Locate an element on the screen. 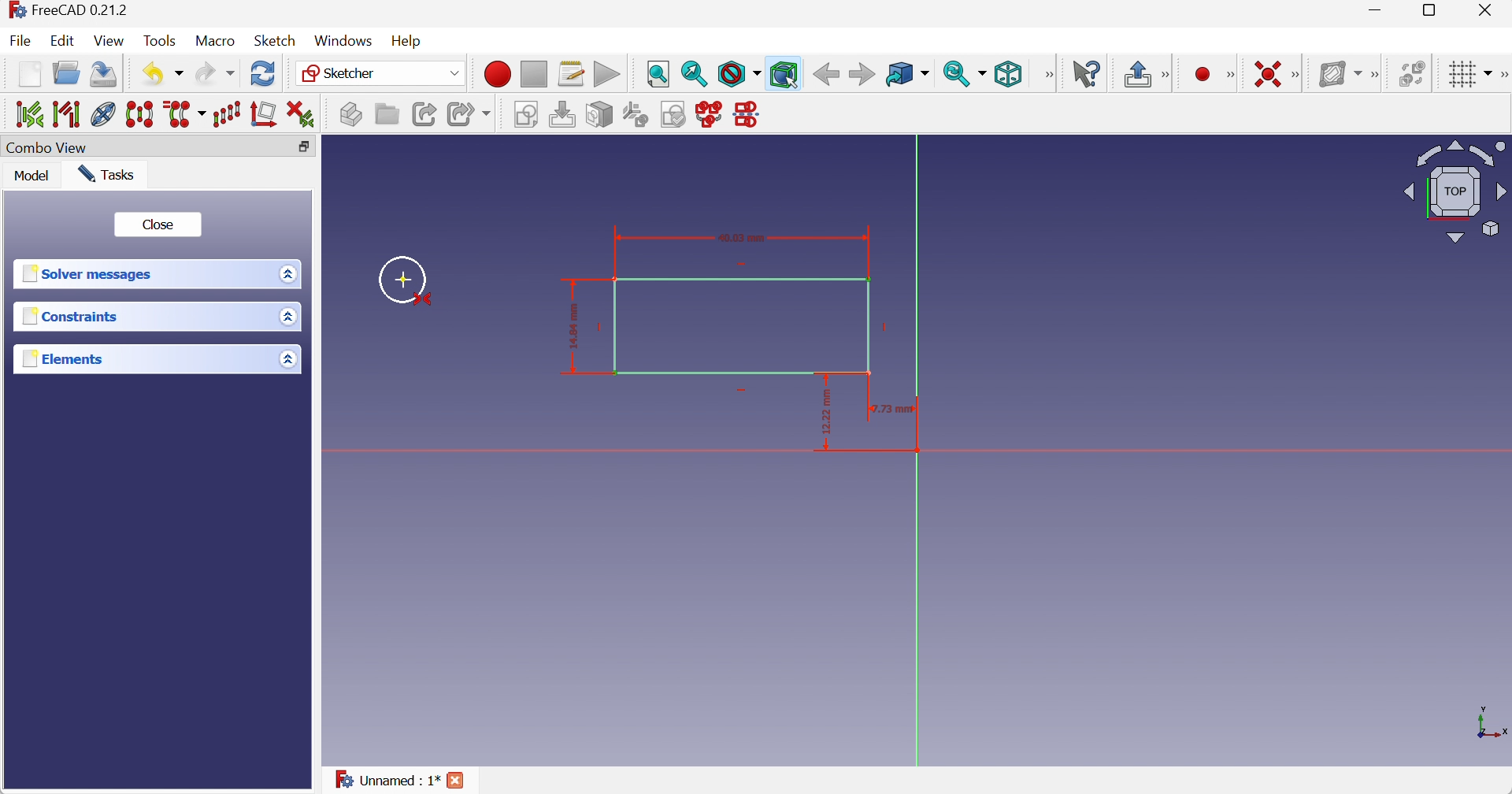 The image size is (1512, 794). Switch virtual space is located at coordinates (1412, 73).